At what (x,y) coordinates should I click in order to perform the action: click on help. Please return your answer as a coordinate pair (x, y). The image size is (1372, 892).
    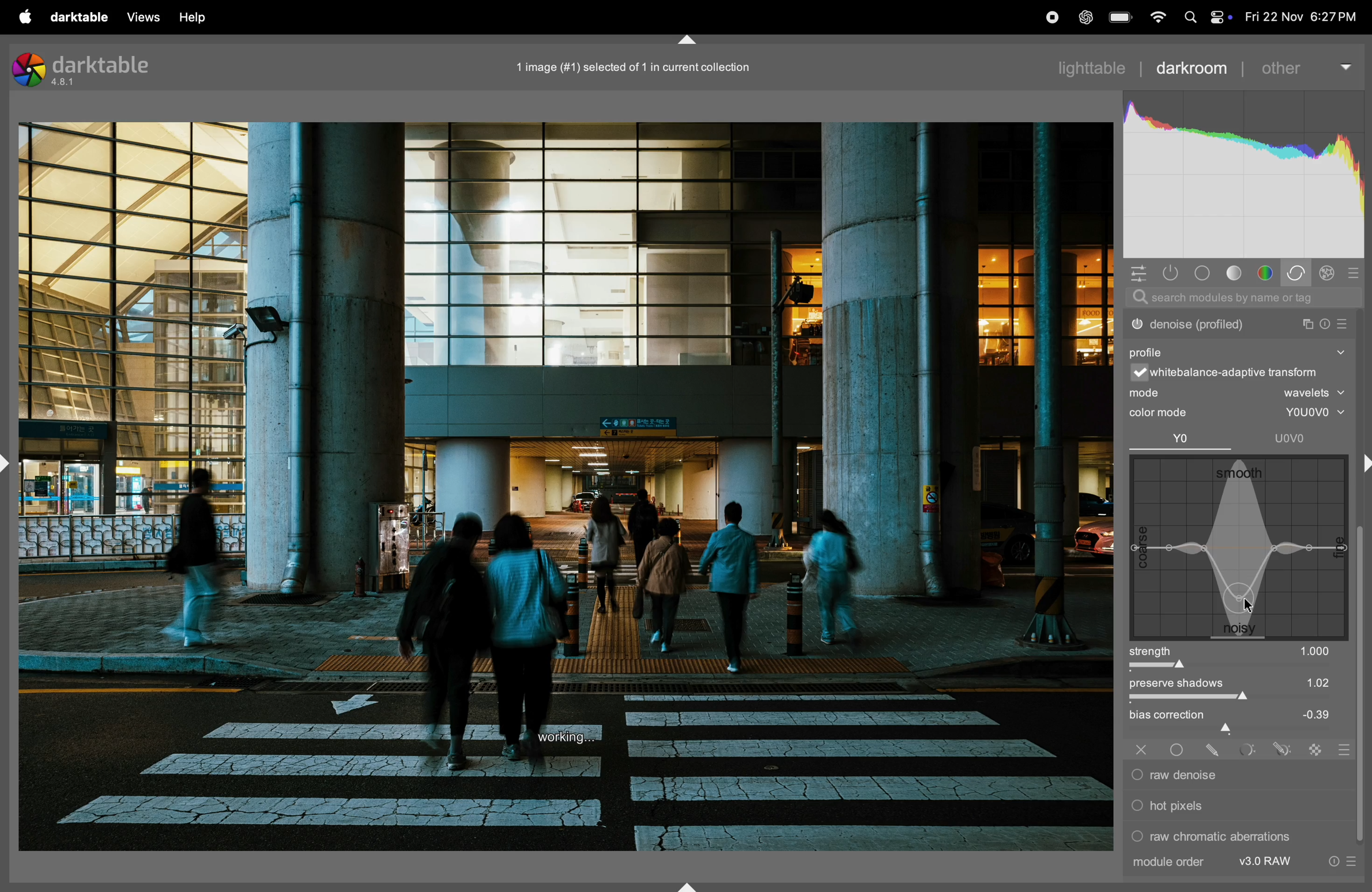
    Looking at the image, I should click on (198, 19).